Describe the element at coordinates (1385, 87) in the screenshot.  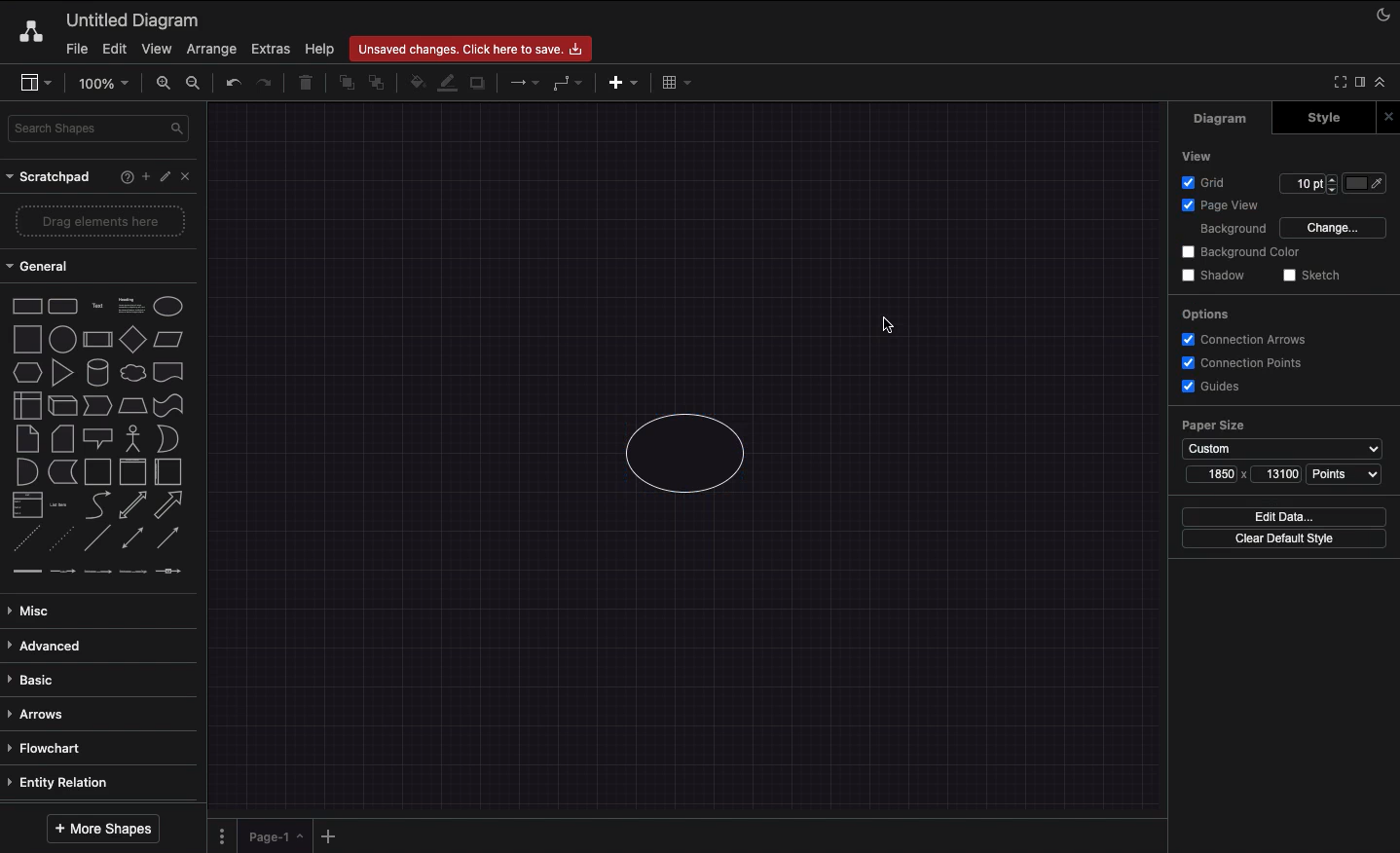
I see `Collapse expand` at that location.